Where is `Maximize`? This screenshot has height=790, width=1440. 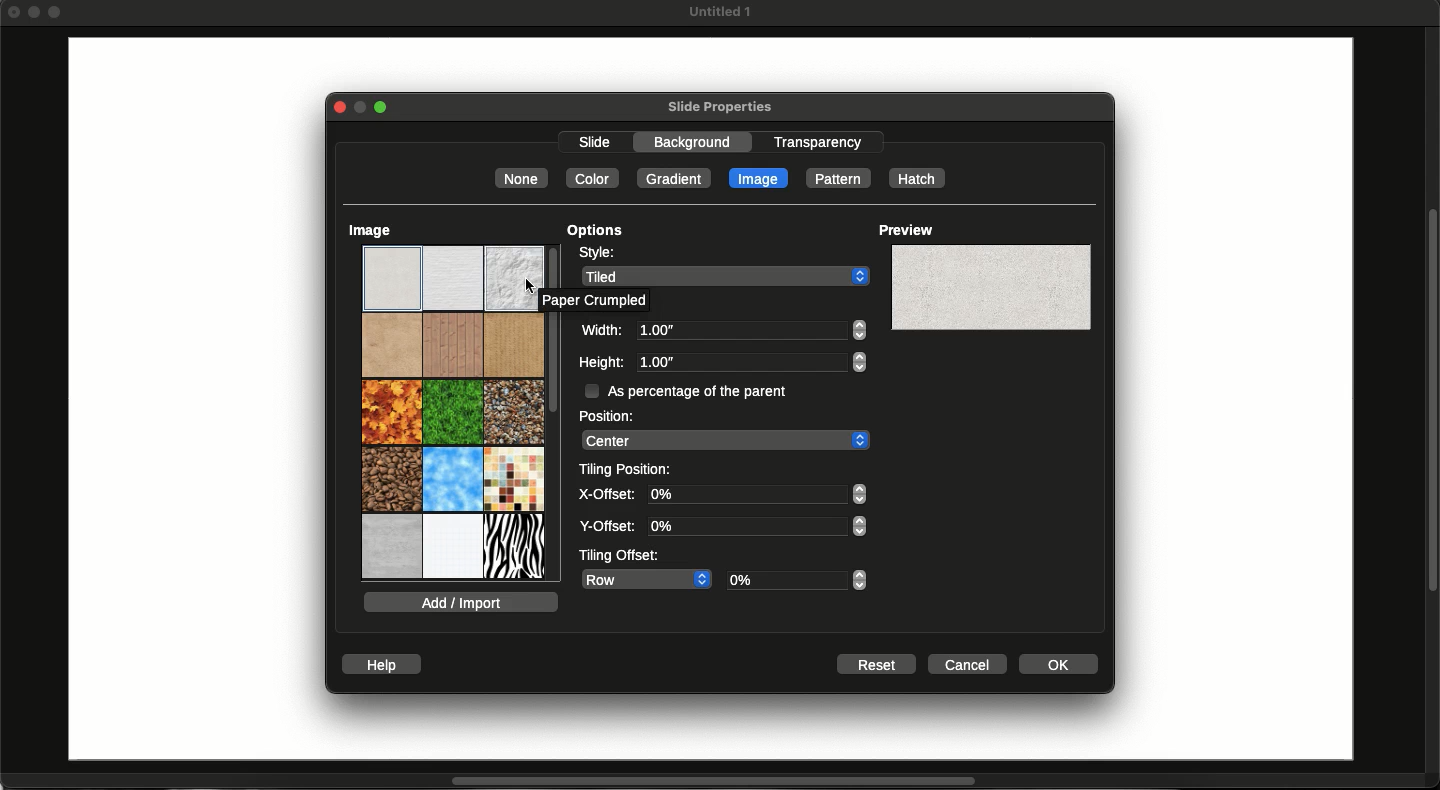
Maximize is located at coordinates (385, 108).